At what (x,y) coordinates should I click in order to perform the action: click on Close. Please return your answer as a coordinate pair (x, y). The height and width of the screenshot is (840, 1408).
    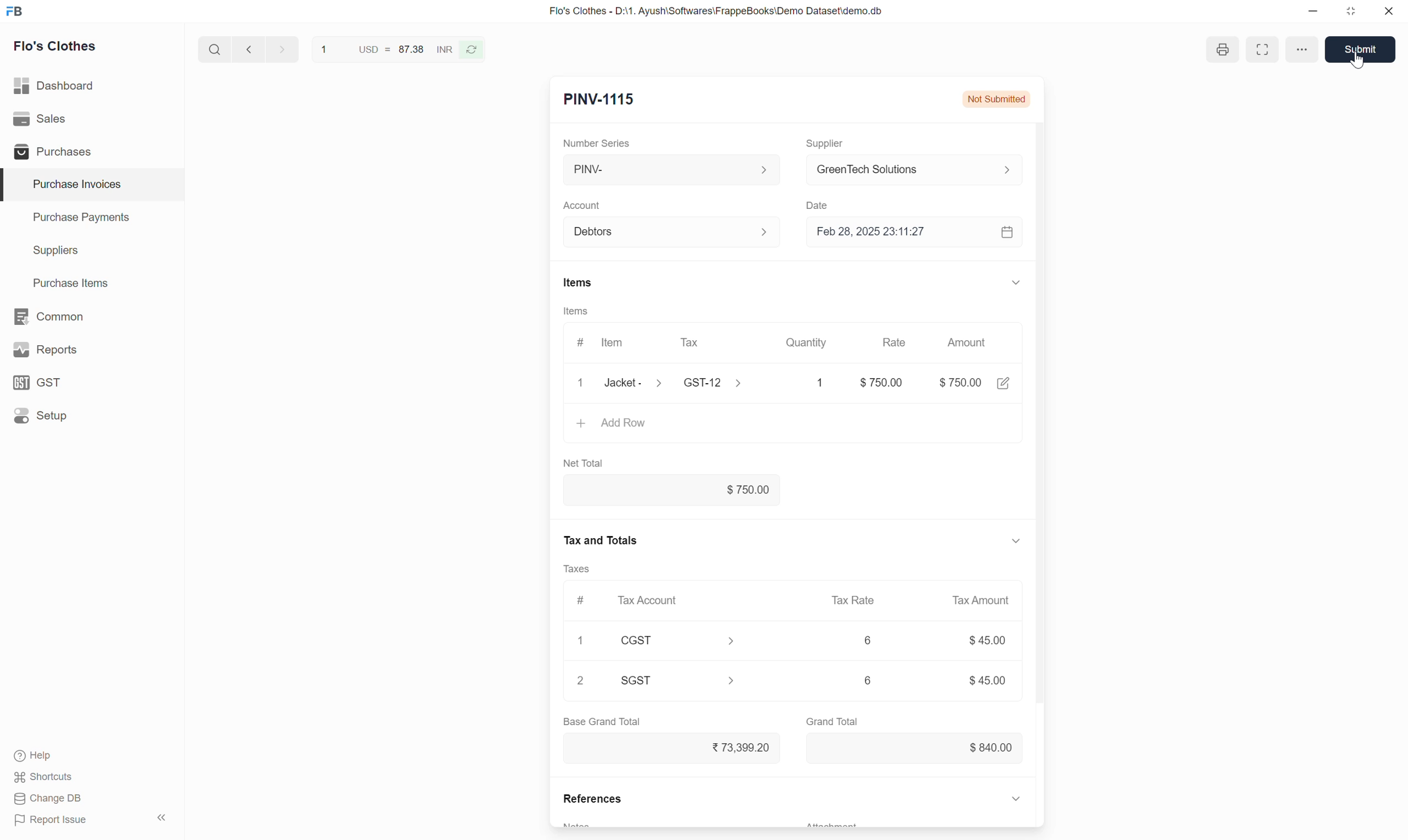
    Looking at the image, I should click on (581, 383).